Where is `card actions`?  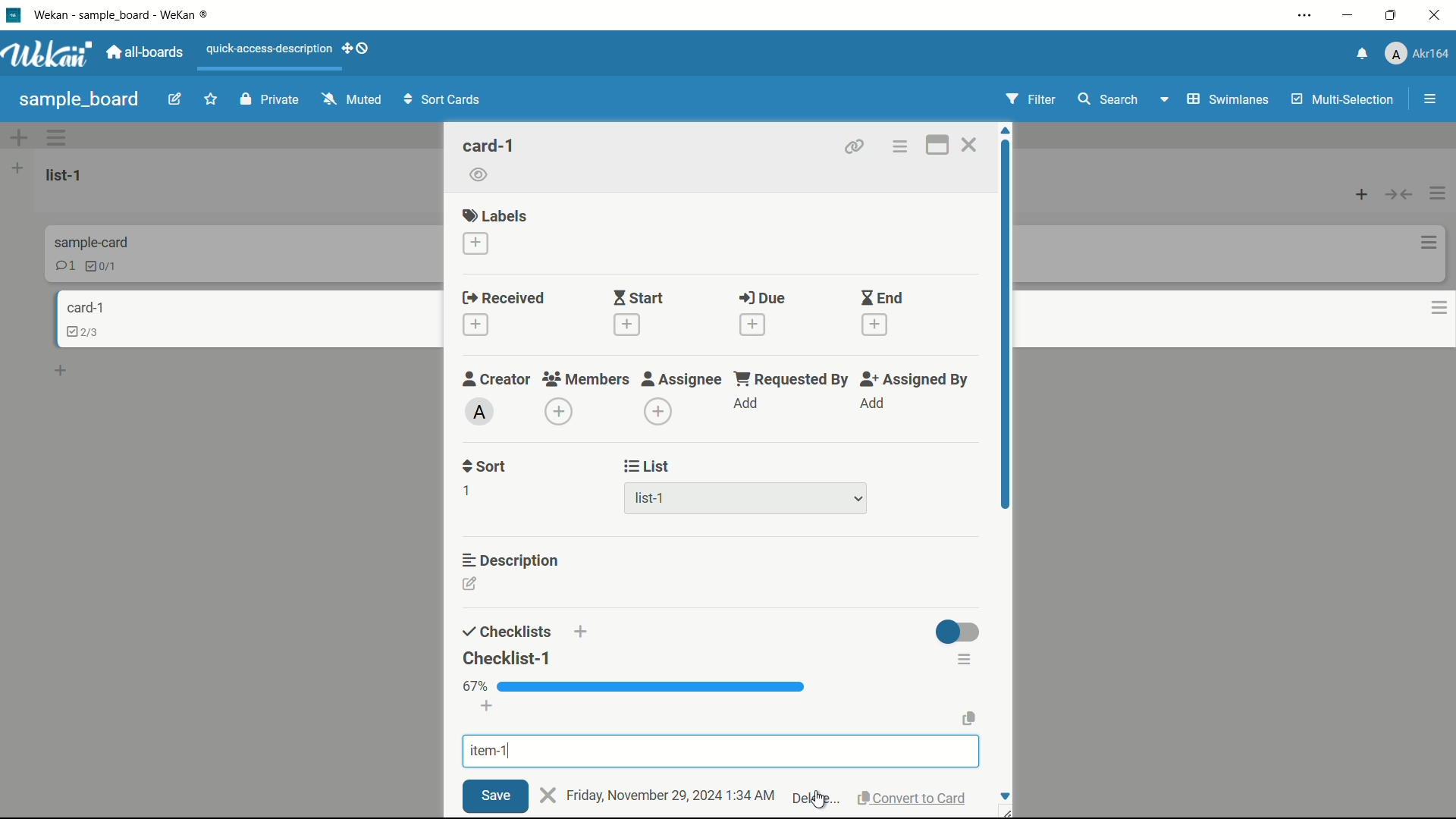 card actions is located at coordinates (1434, 312).